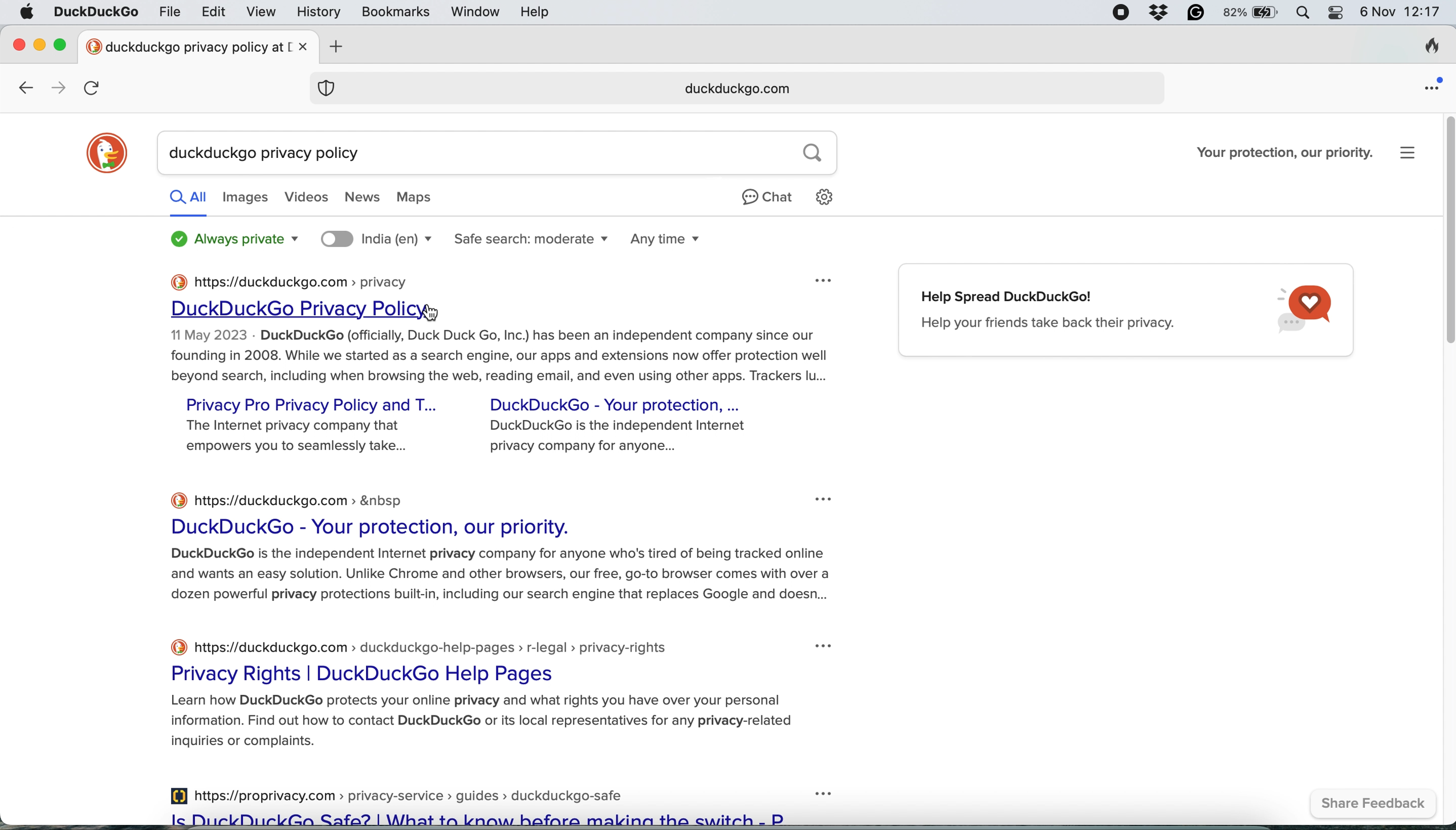 This screenshot has width=1456, height=830. I want to click on open application menu, so click(1427, 87).